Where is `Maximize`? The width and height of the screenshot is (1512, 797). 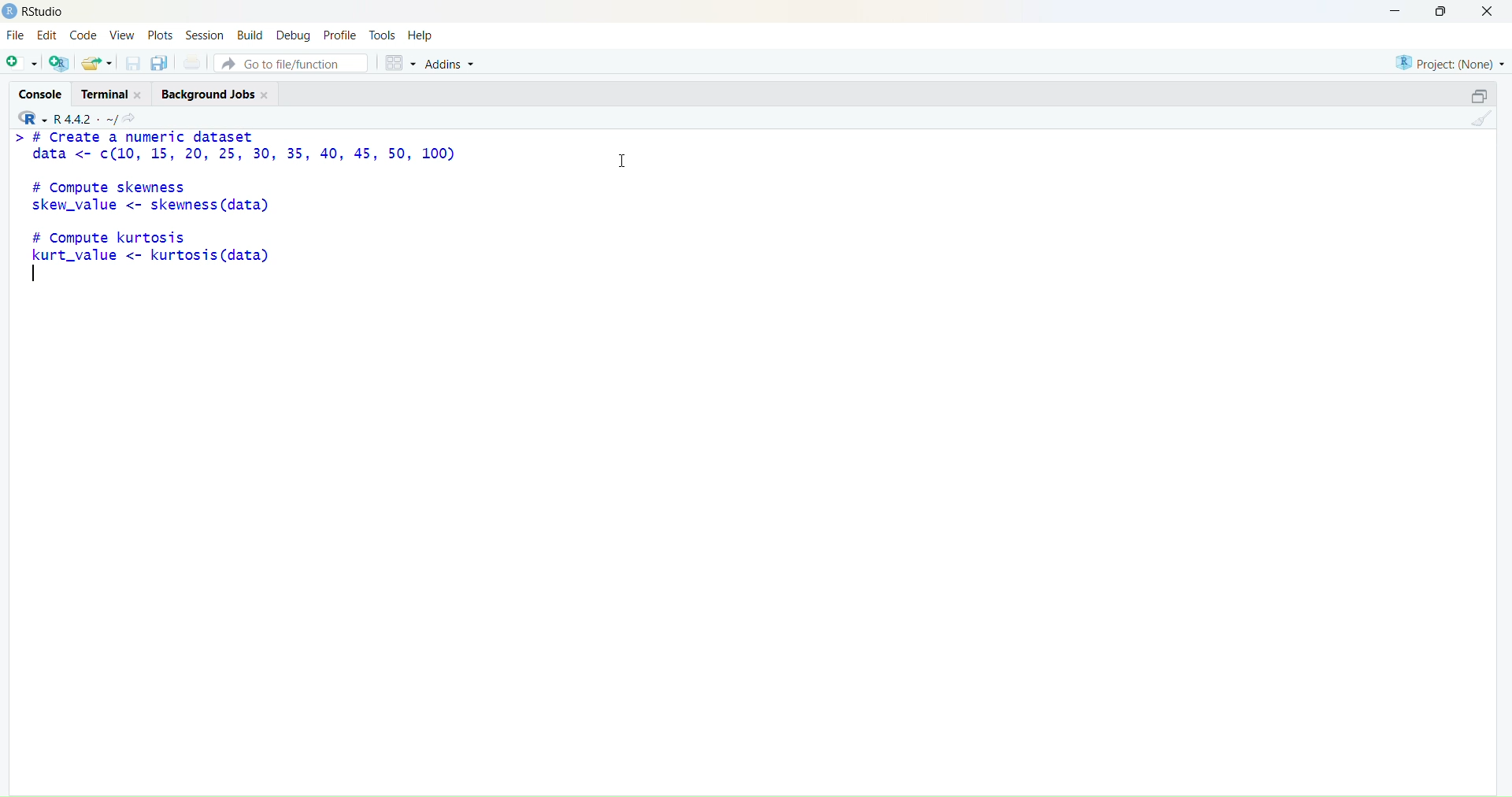
Maximize is located at coordinates (1440, 13).